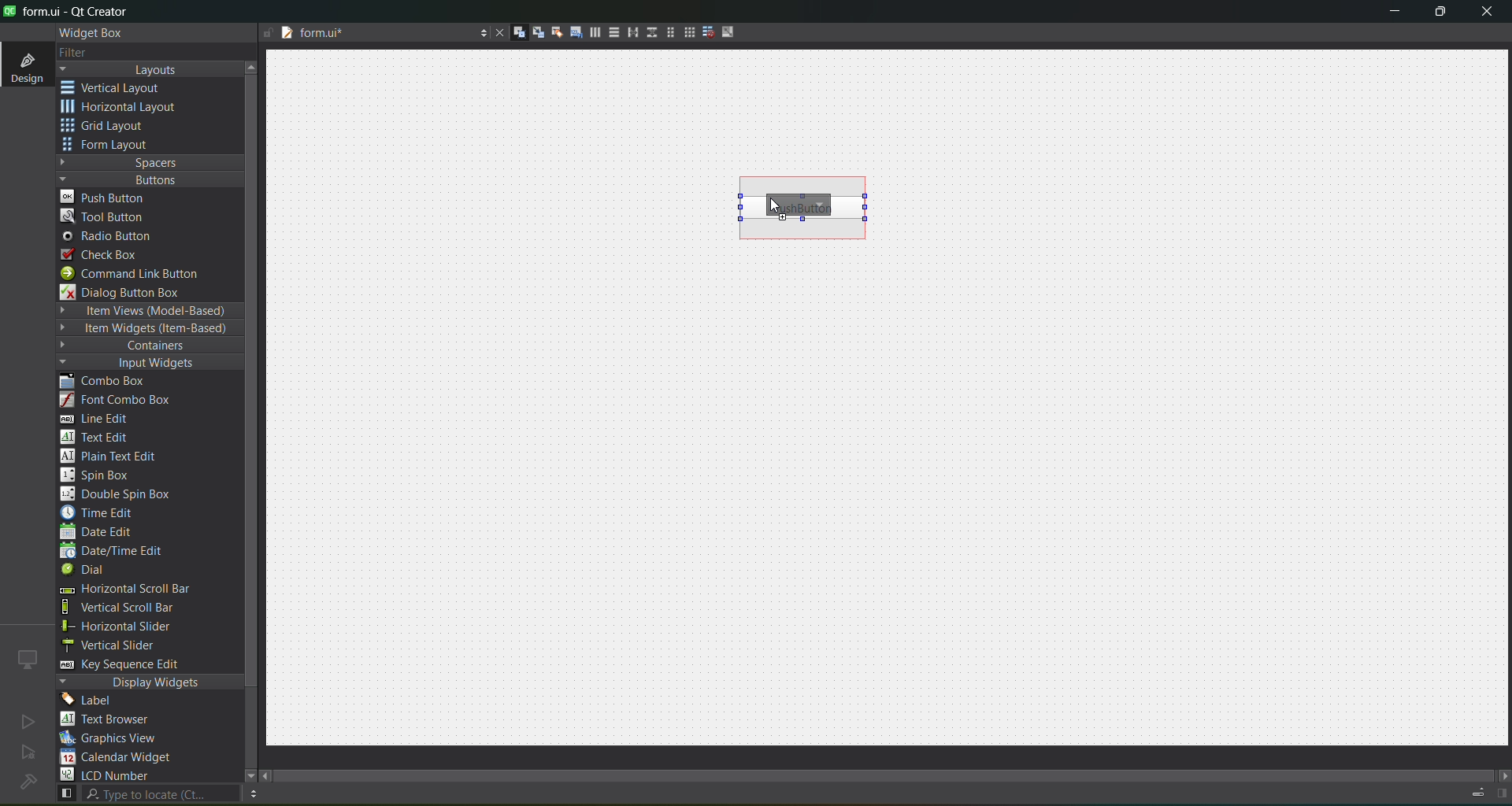  What do you see at coordinates (496, 34) in the screenshot?
I see `close document` at bounding box center [496, 34].